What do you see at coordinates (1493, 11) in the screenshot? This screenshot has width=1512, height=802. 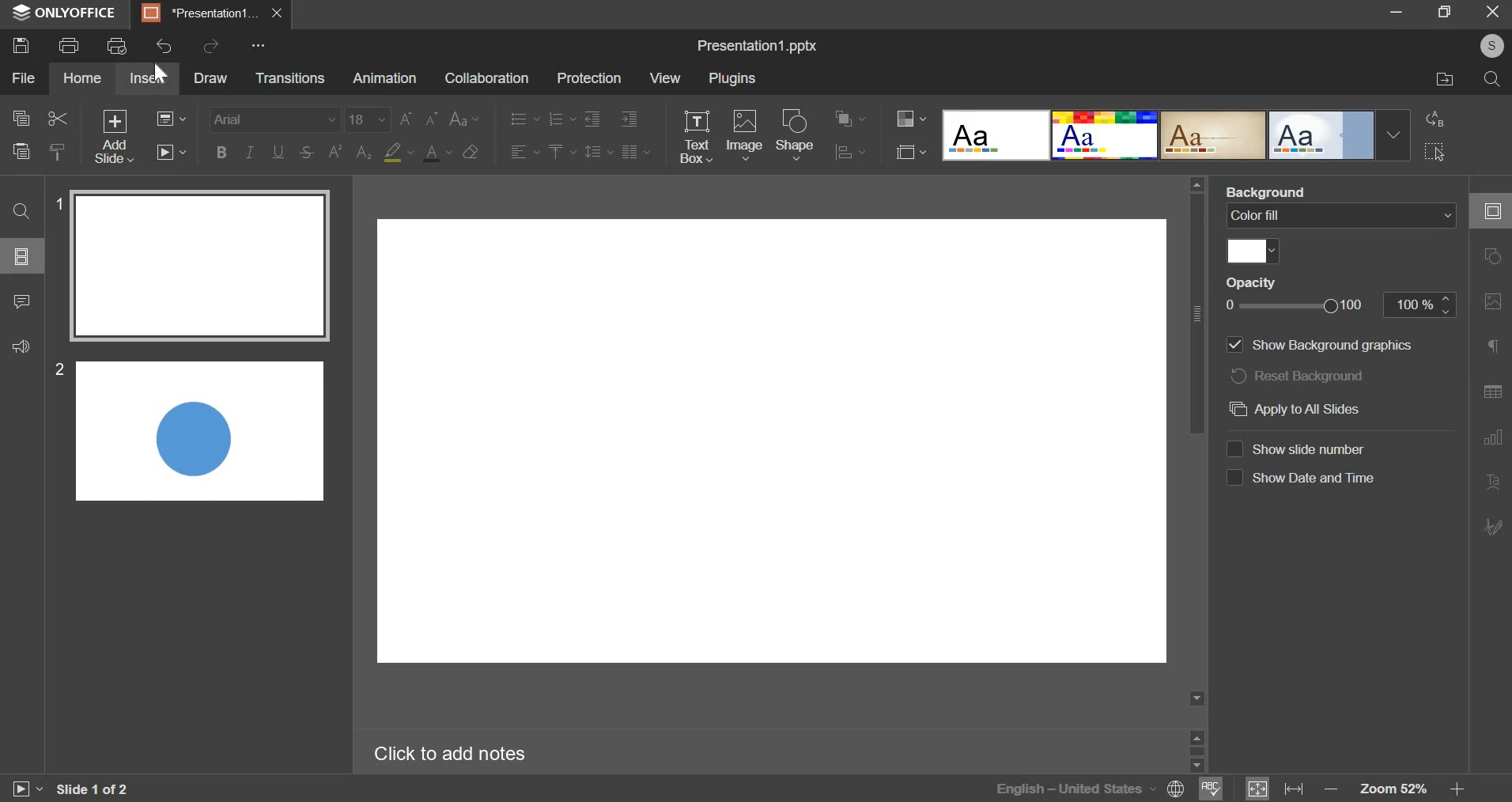 I see `exit` at bounding box center [1493, 11].